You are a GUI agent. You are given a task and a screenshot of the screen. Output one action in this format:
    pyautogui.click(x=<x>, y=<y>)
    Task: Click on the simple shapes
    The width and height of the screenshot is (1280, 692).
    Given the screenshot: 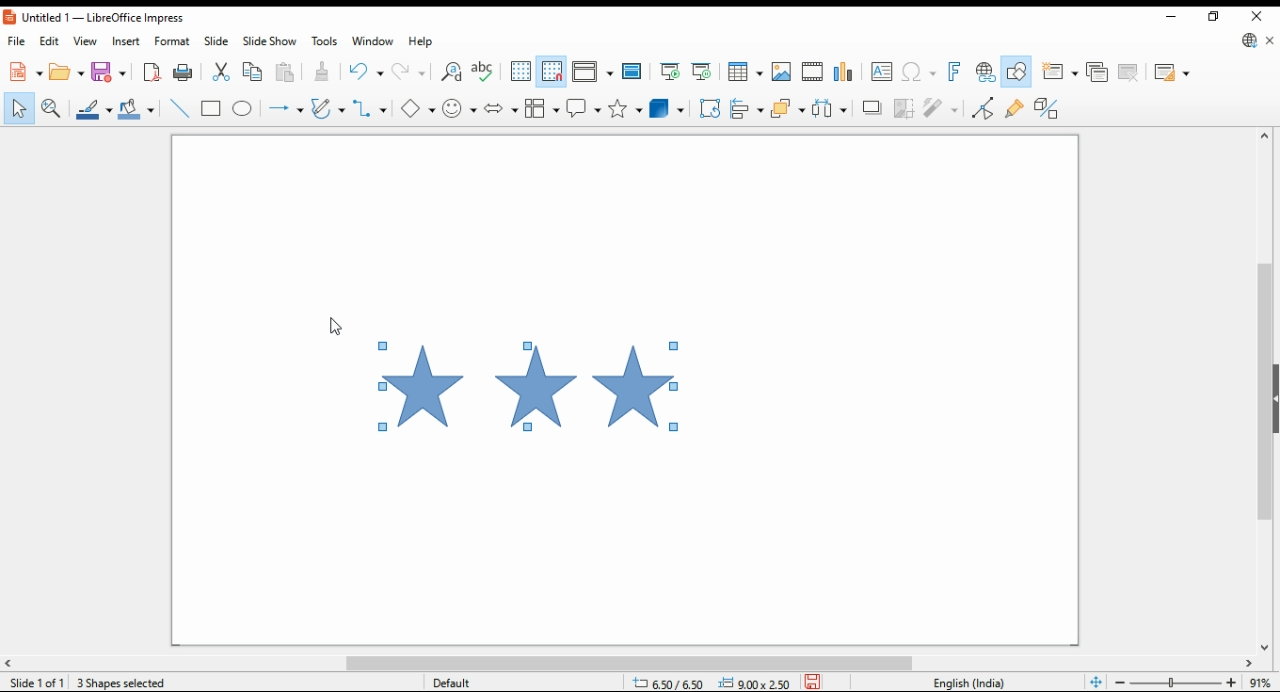 What is the action you would take?
    pyautogui.click(x=419, y=109)
    